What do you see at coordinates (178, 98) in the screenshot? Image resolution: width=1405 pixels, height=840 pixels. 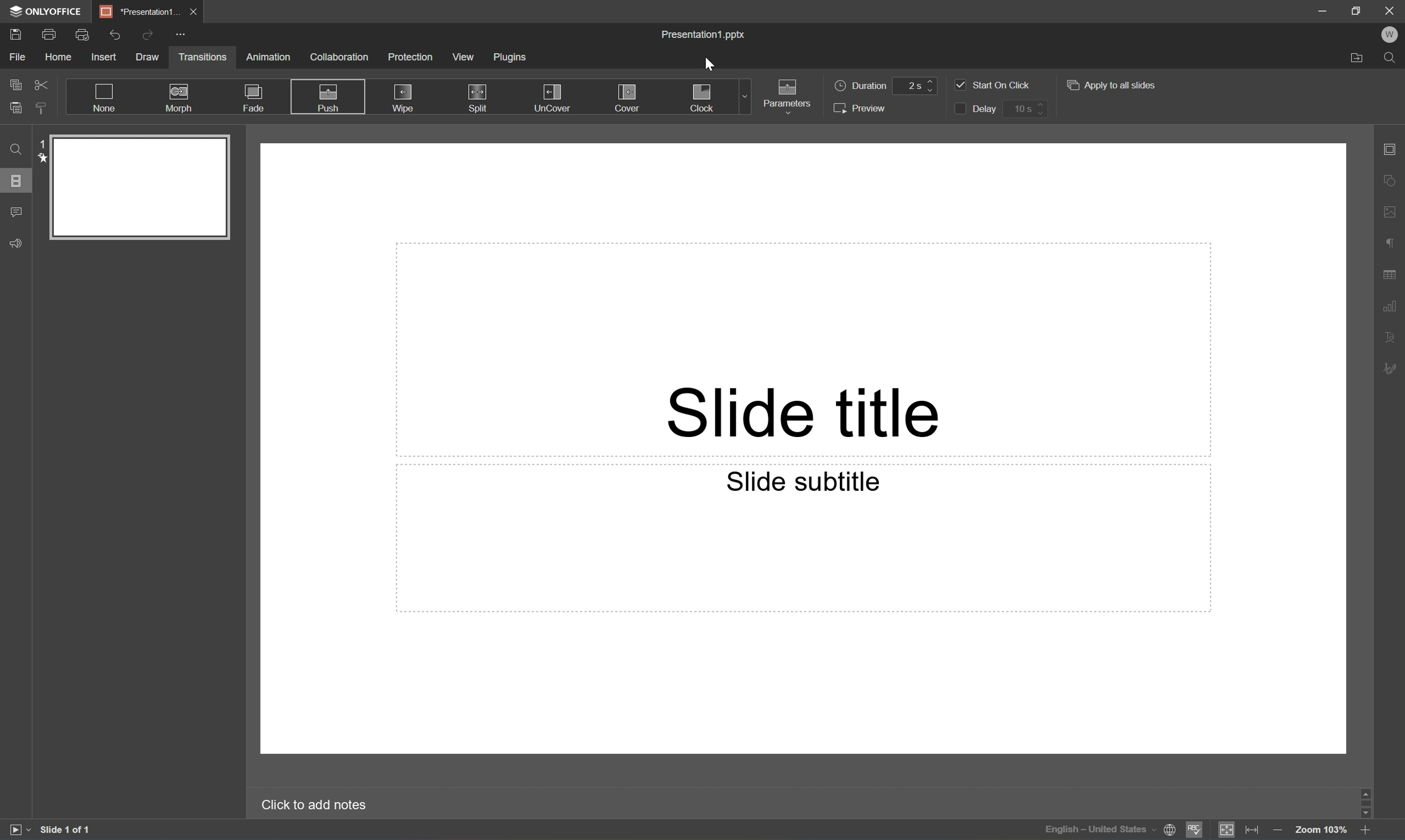 I see `Morph` at bounding box center [178, 98].